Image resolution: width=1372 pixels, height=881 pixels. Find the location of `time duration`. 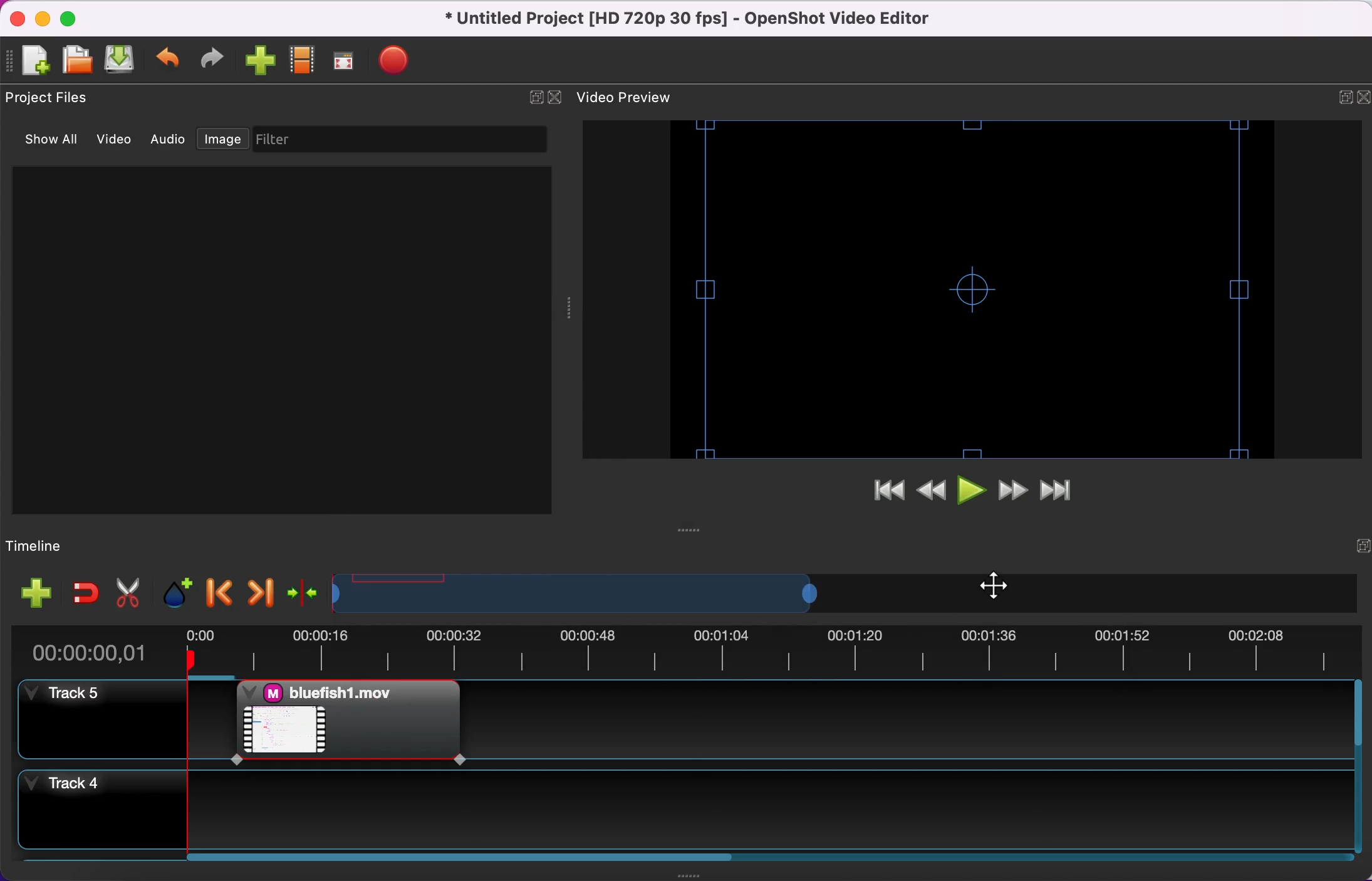

time duration is located at coordinates (687, 650).